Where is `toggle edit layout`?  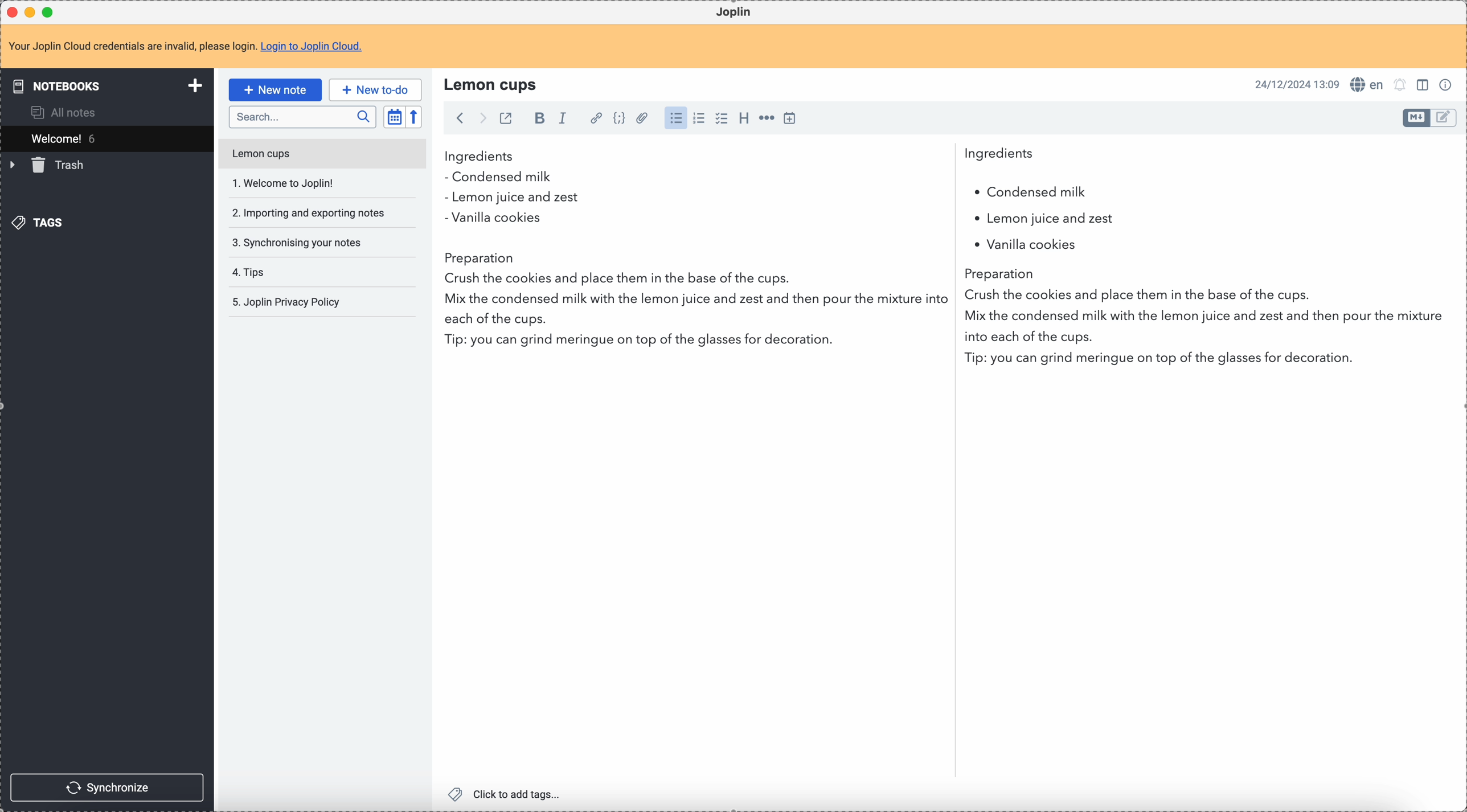 toggle edit layout is located at coordinates (1444, 118).